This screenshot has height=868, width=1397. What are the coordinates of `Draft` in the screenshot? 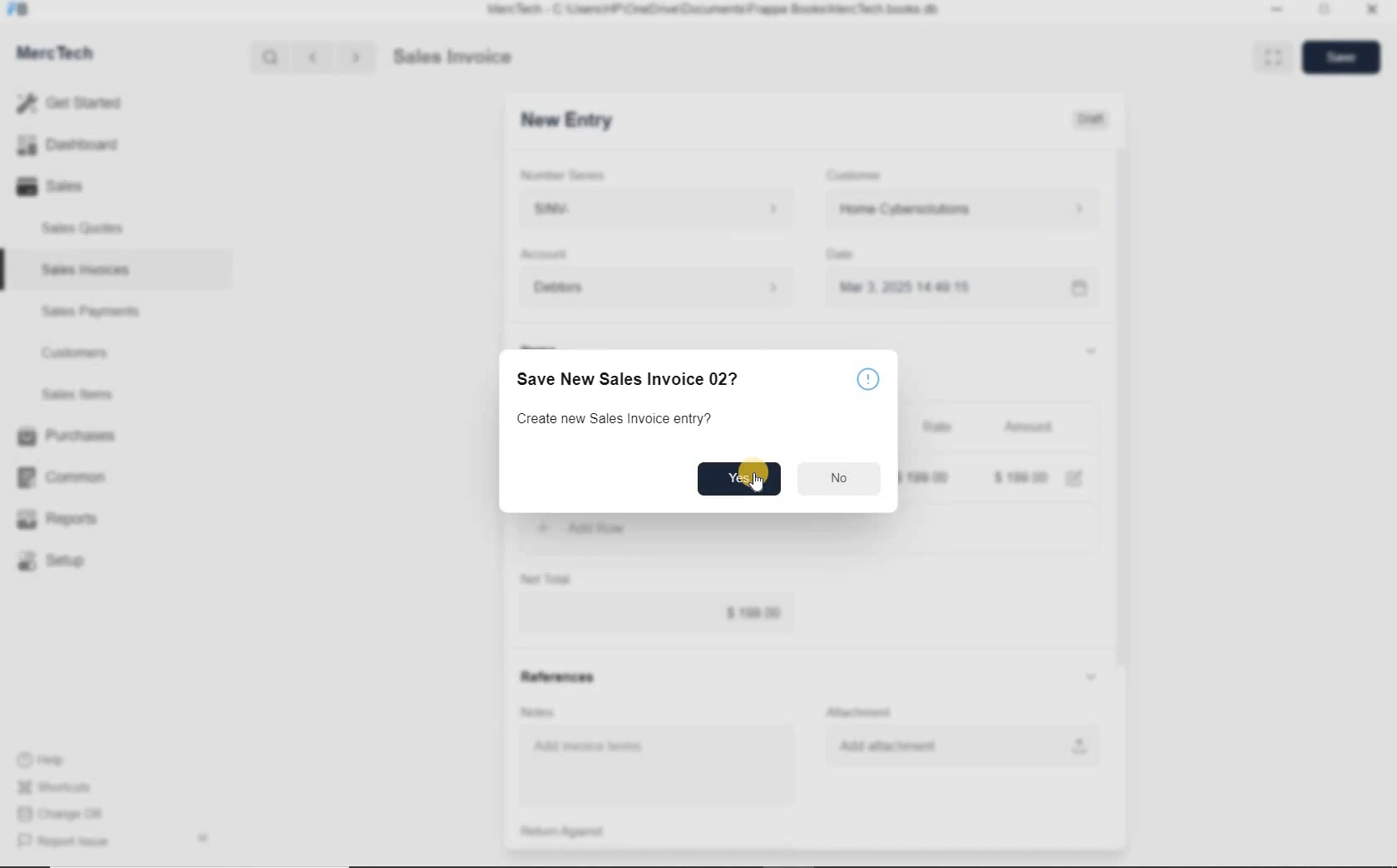 It's located at (1092, 120).